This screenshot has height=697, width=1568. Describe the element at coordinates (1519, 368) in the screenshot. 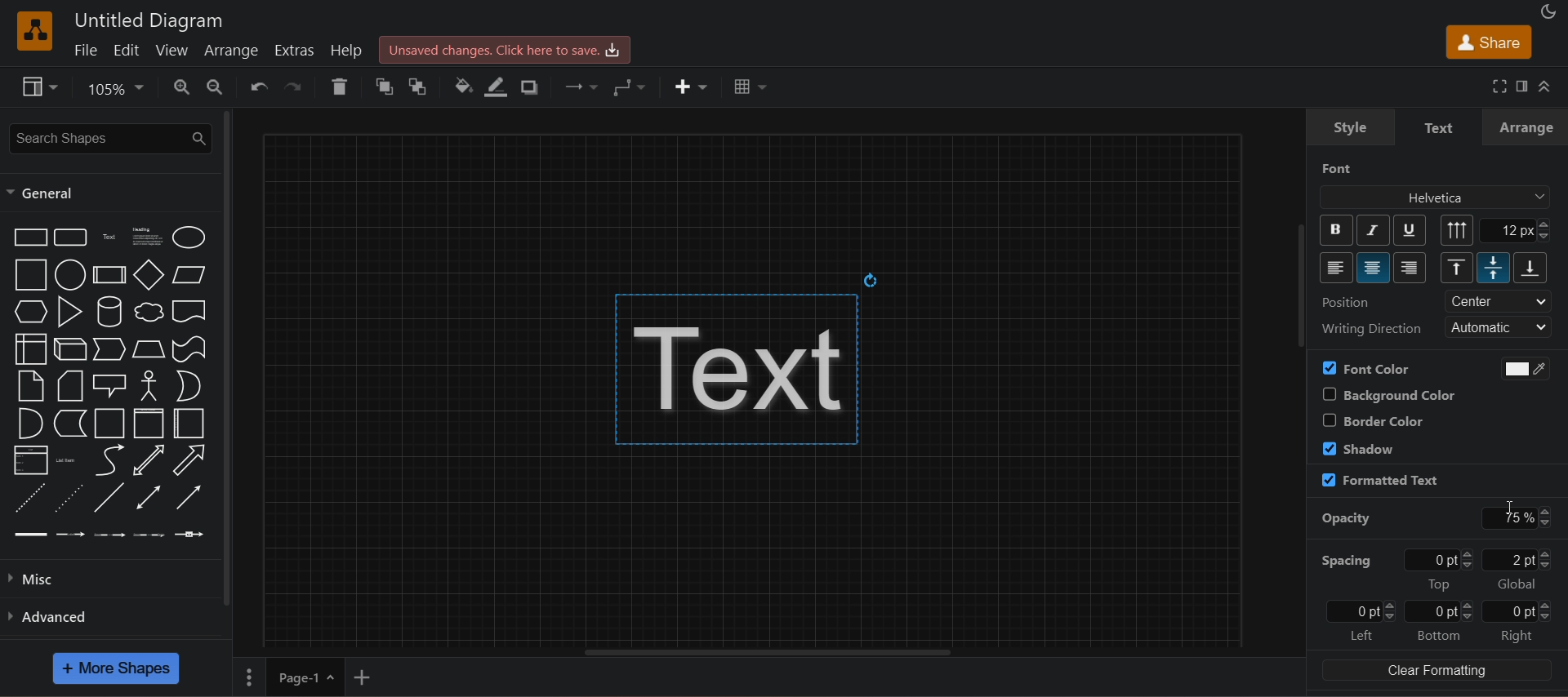

I see `use black and white` at that location.